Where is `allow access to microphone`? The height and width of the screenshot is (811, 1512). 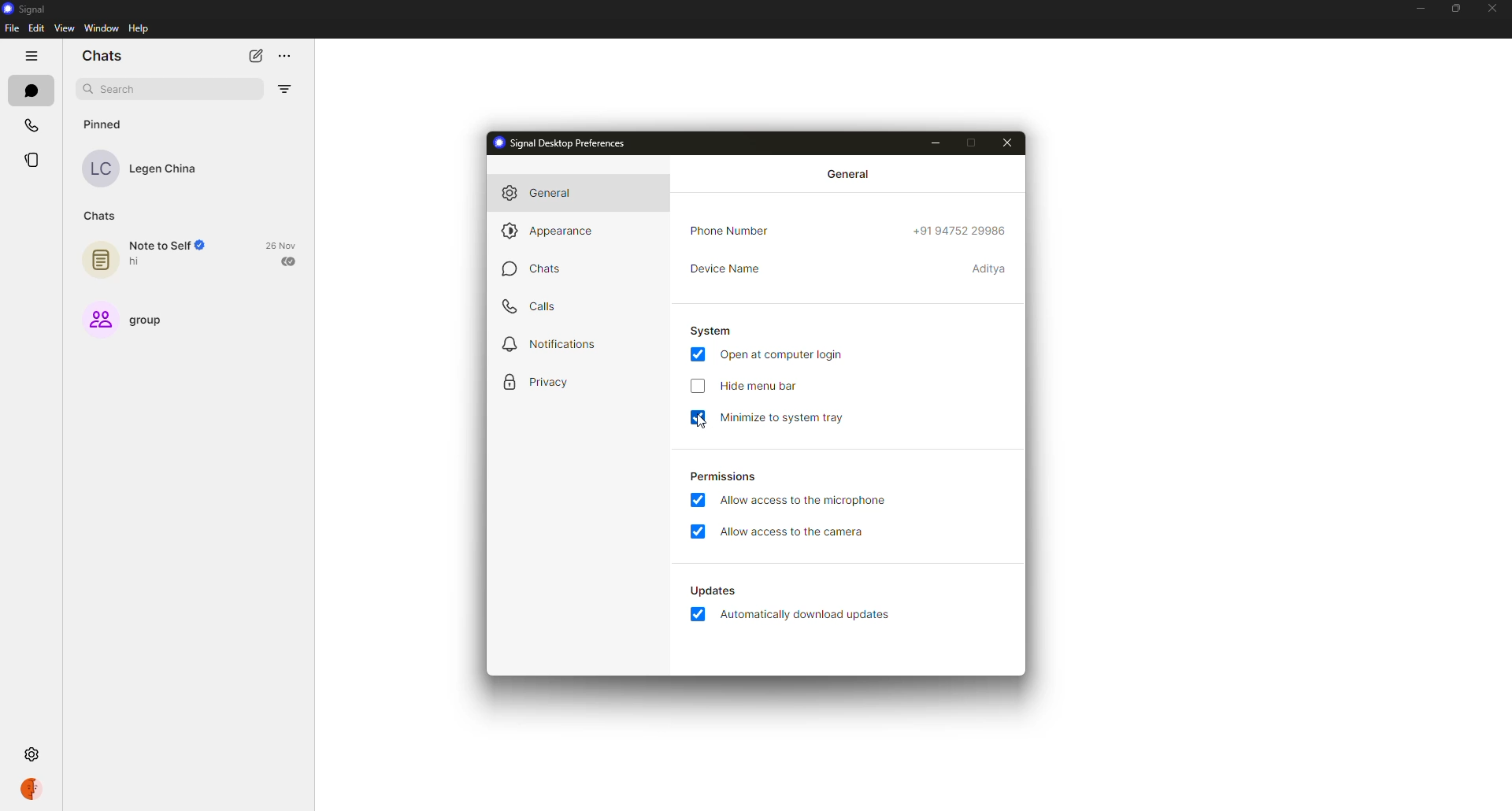 allow access to microphone is located at coordinates (804, 501).